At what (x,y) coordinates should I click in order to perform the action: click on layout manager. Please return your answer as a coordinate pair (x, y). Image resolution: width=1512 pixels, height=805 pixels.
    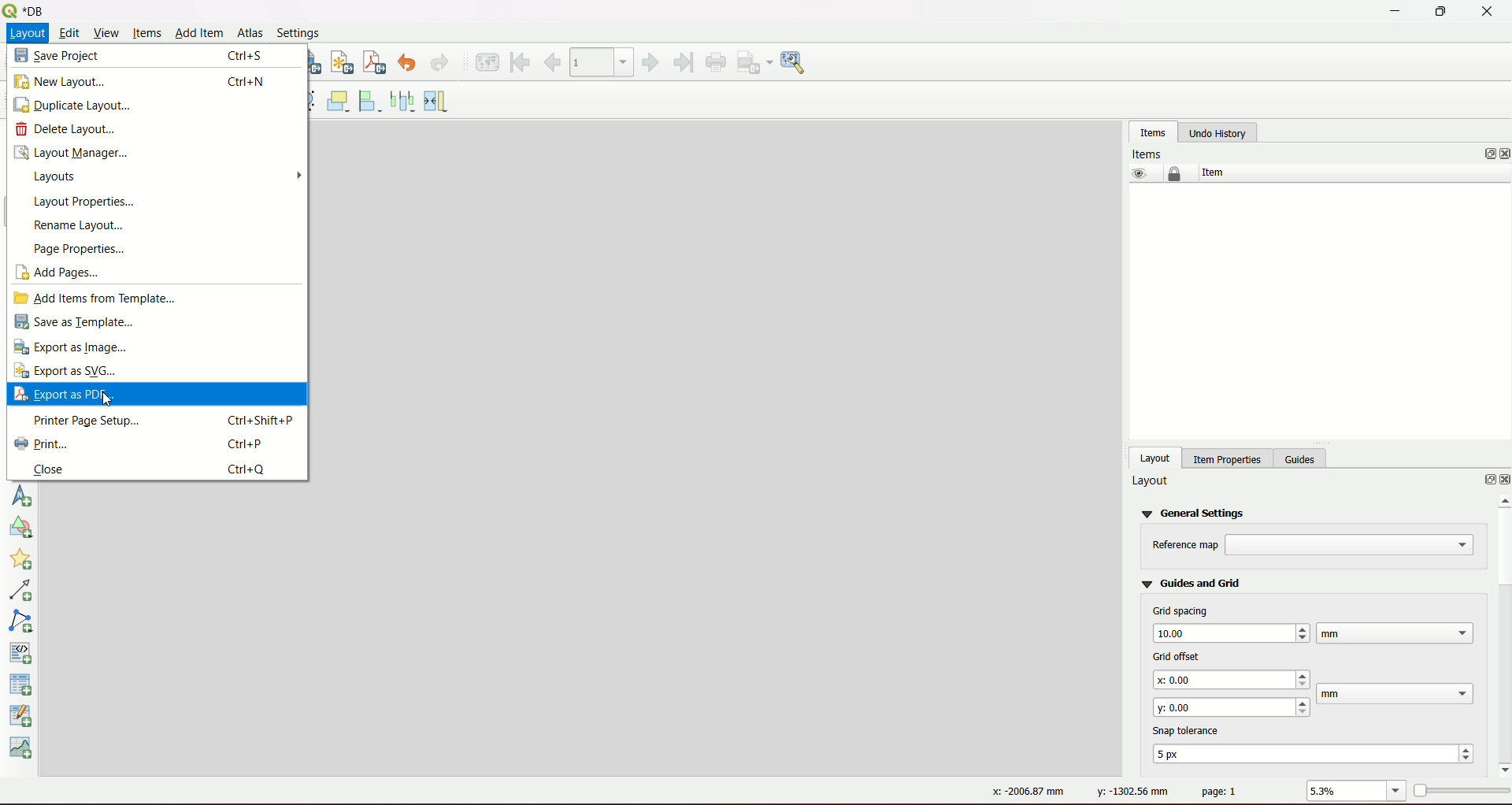
    Looking at the image, I should click on (72, 150).